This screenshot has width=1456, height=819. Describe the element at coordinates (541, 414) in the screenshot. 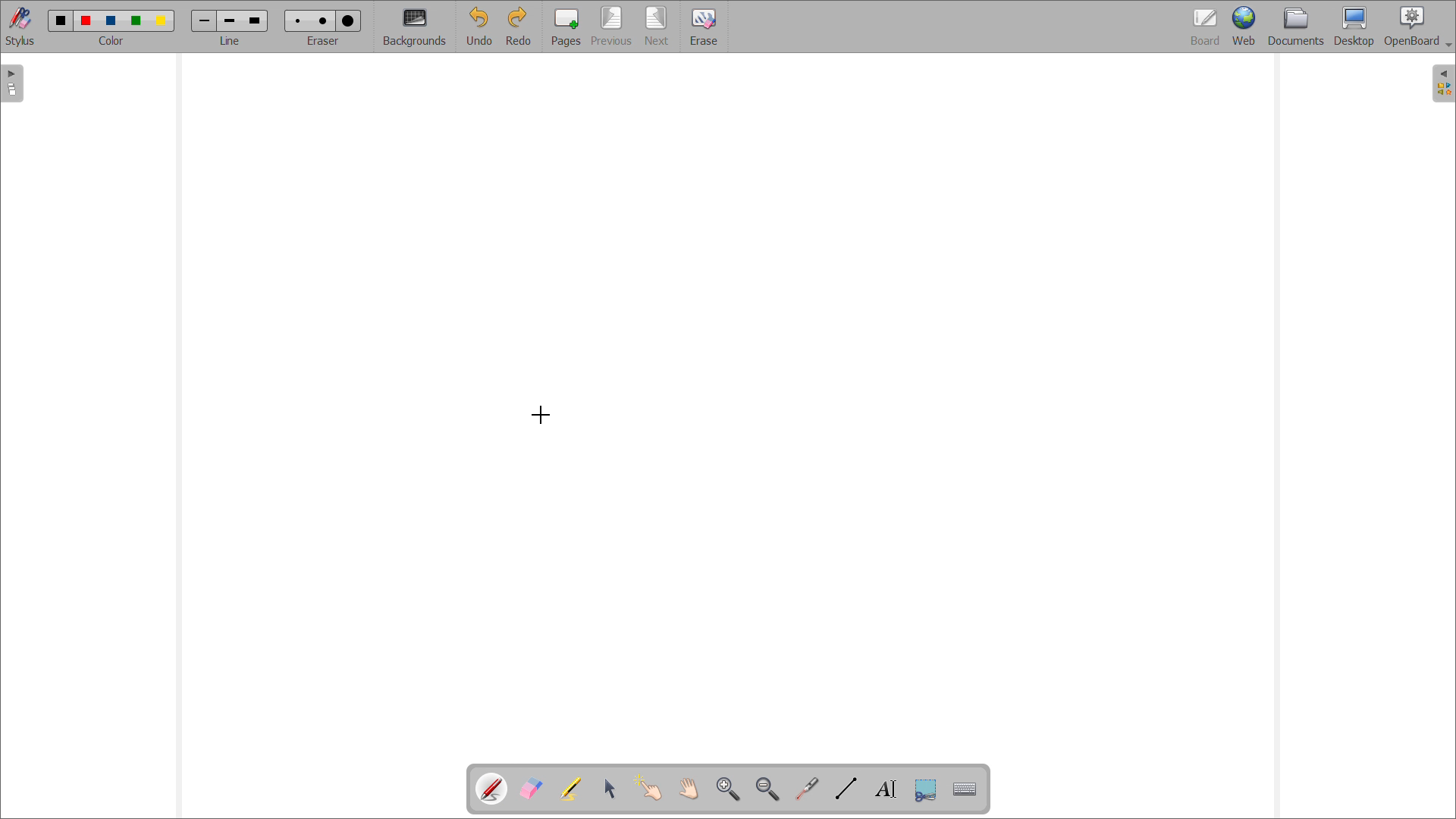

I see `cursor` at that location.